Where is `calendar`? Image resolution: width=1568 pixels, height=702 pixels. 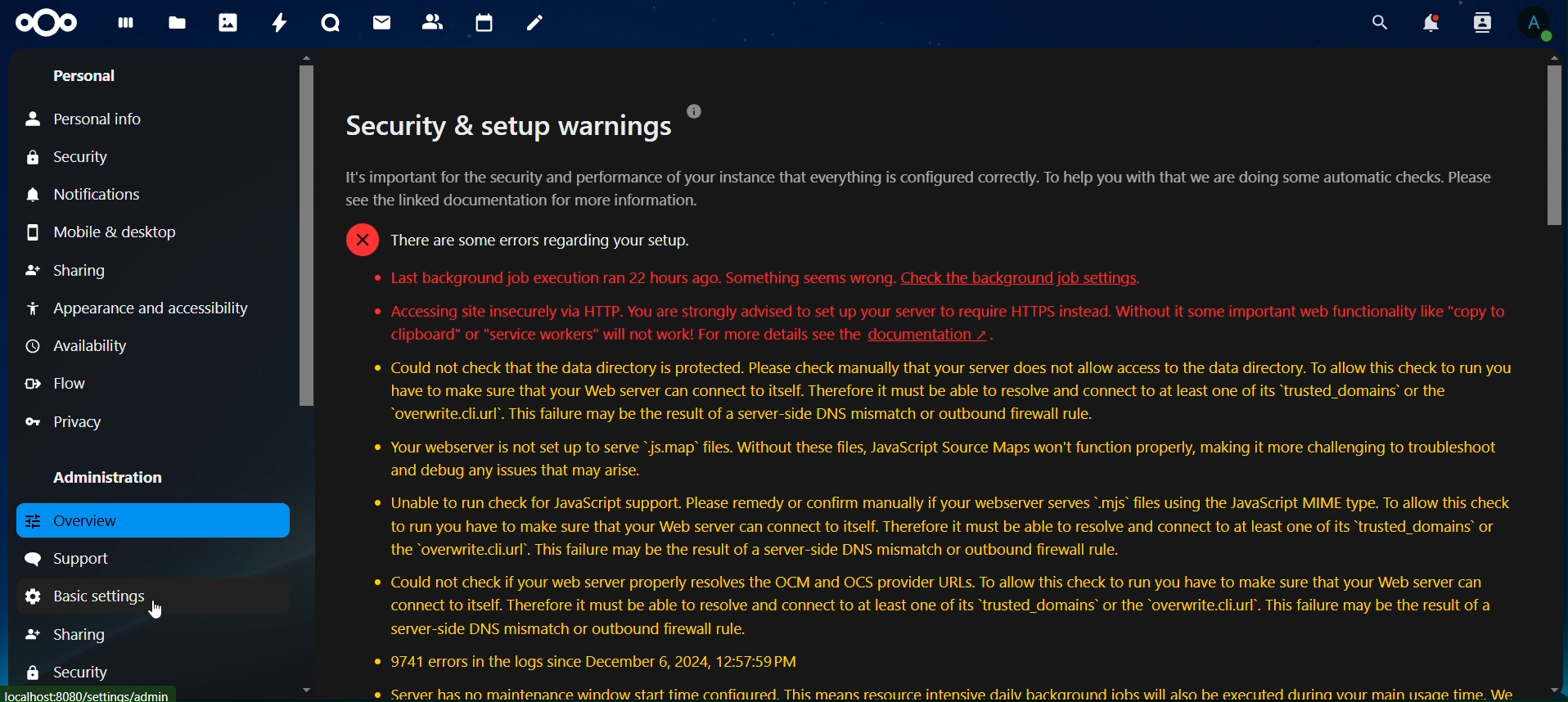
calendar is located at coordinates (487, 23).